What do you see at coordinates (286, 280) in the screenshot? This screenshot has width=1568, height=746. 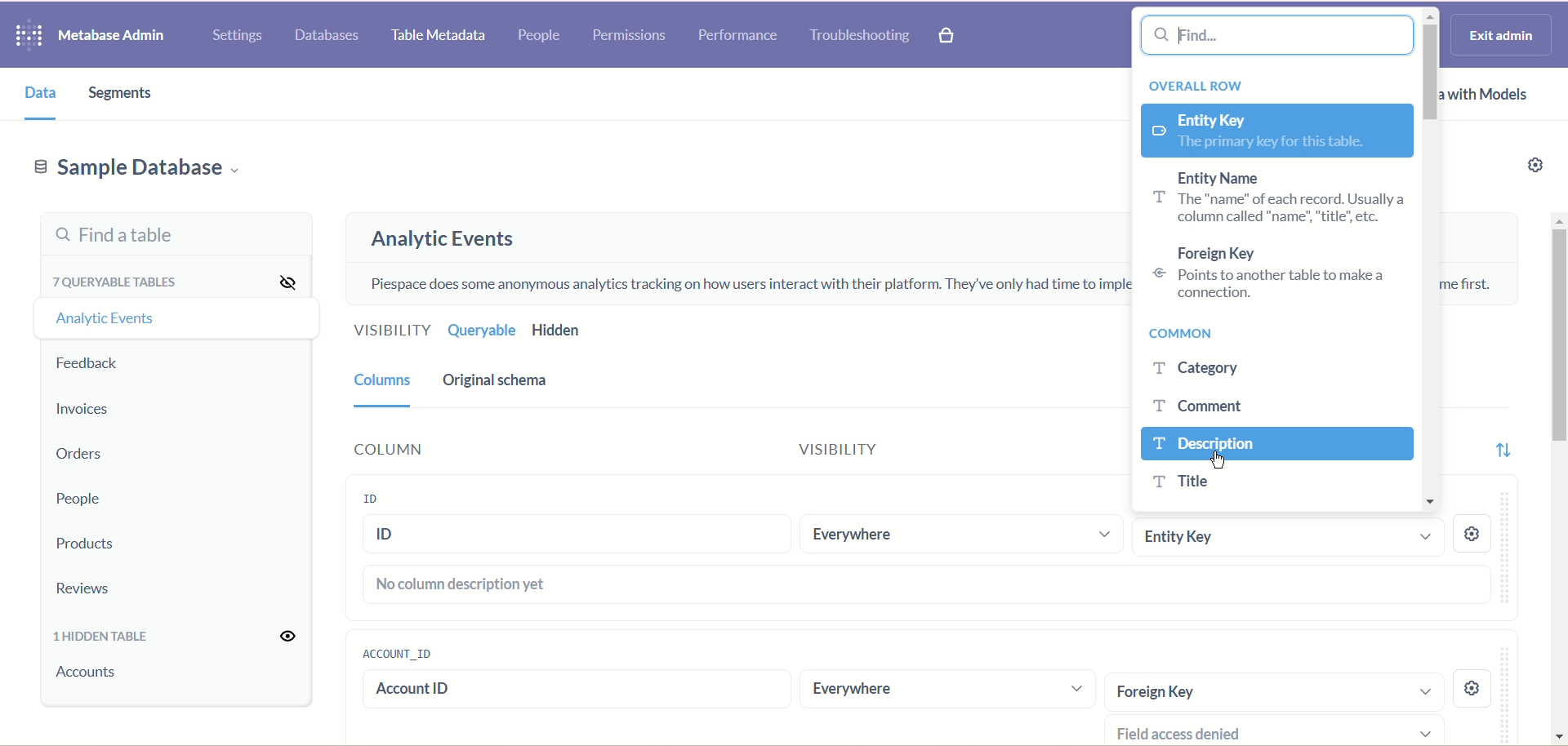 I see `visibility` at bounding box center [286, 280].